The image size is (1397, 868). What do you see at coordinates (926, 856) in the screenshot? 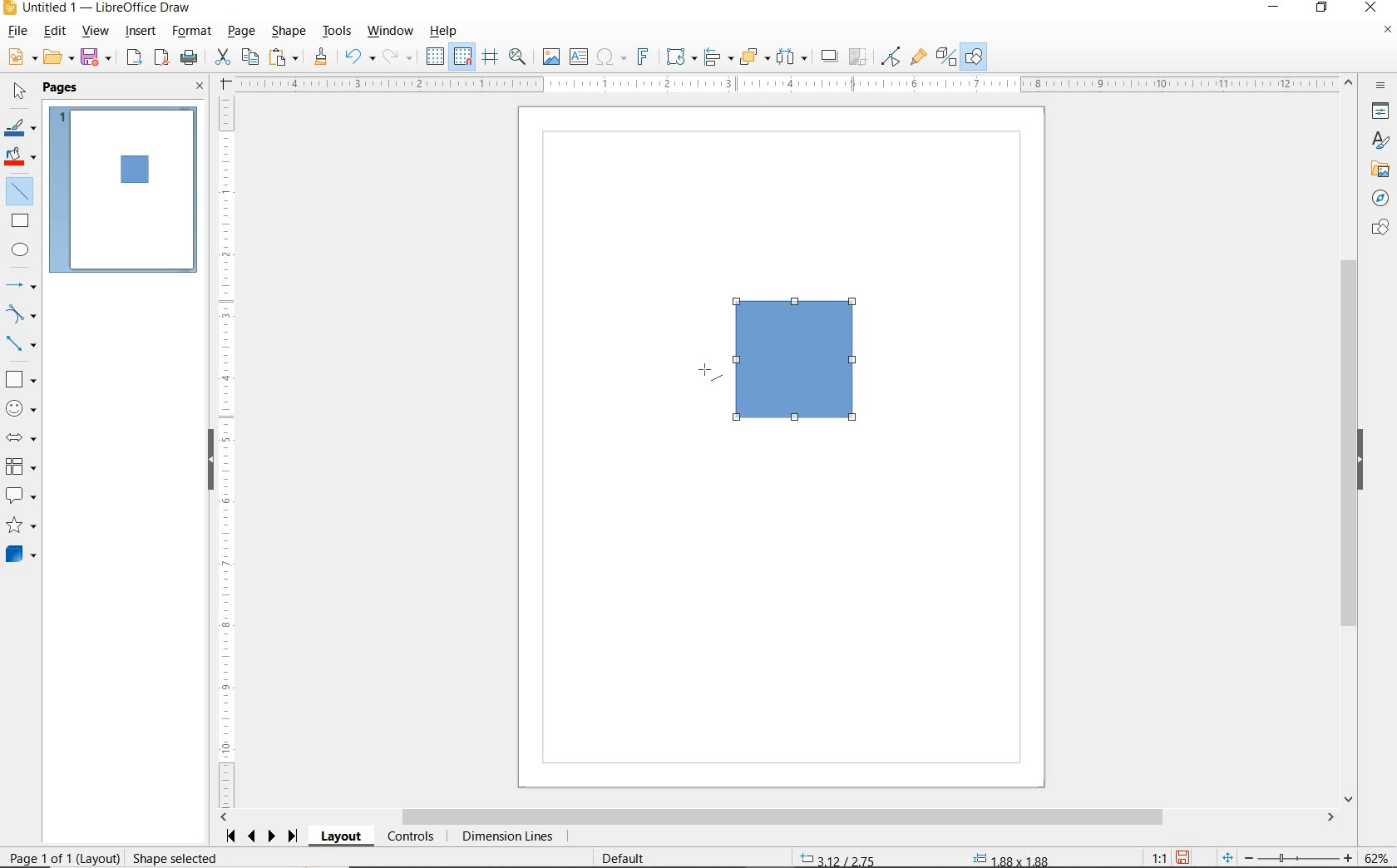
I see `STANDARD SELECTION` at bounding box center [926, 856].